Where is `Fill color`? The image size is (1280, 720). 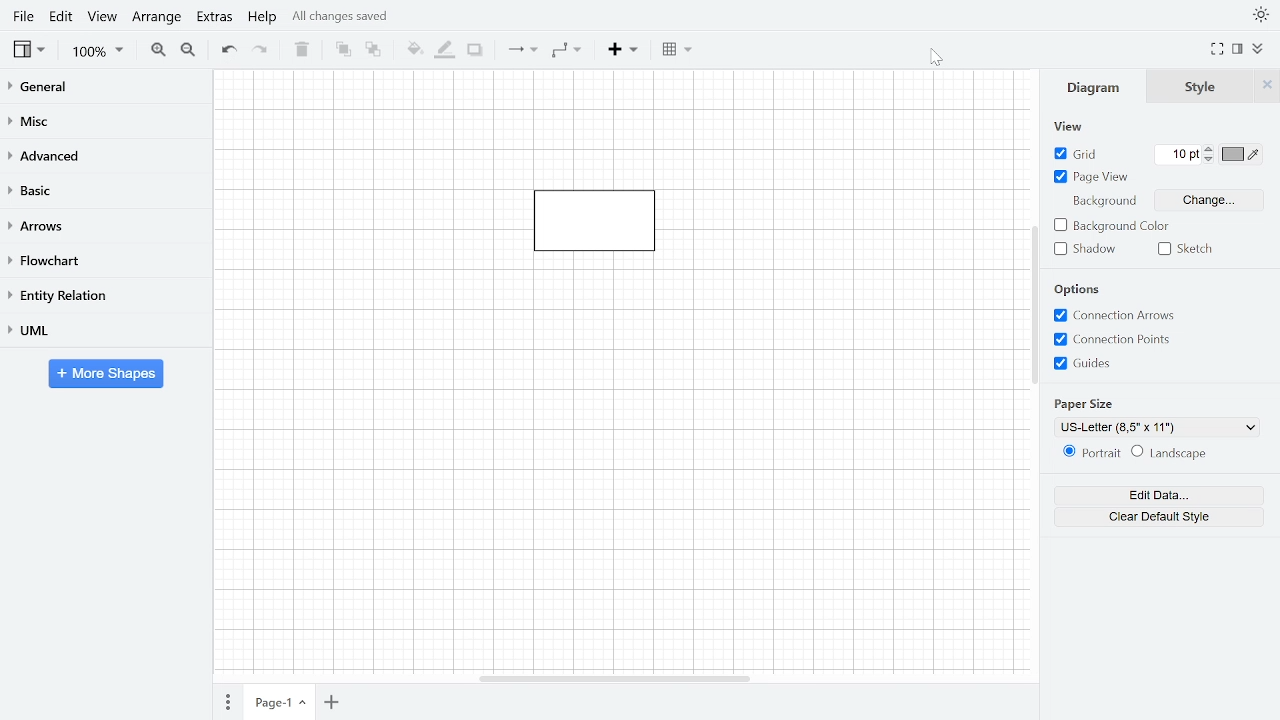
Fill color is located at coordinates (414, 52).